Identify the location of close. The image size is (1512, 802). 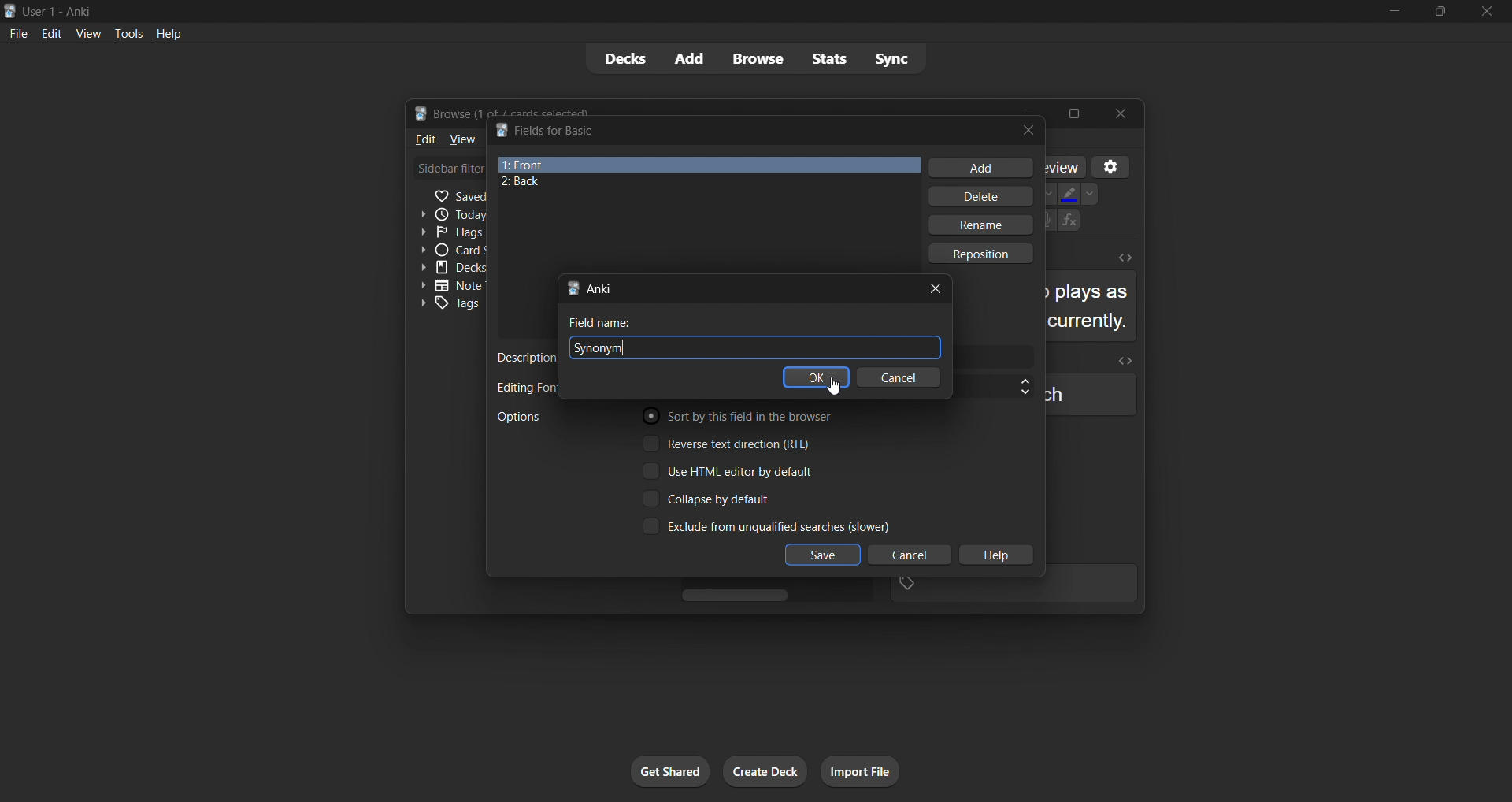
(941, 287).